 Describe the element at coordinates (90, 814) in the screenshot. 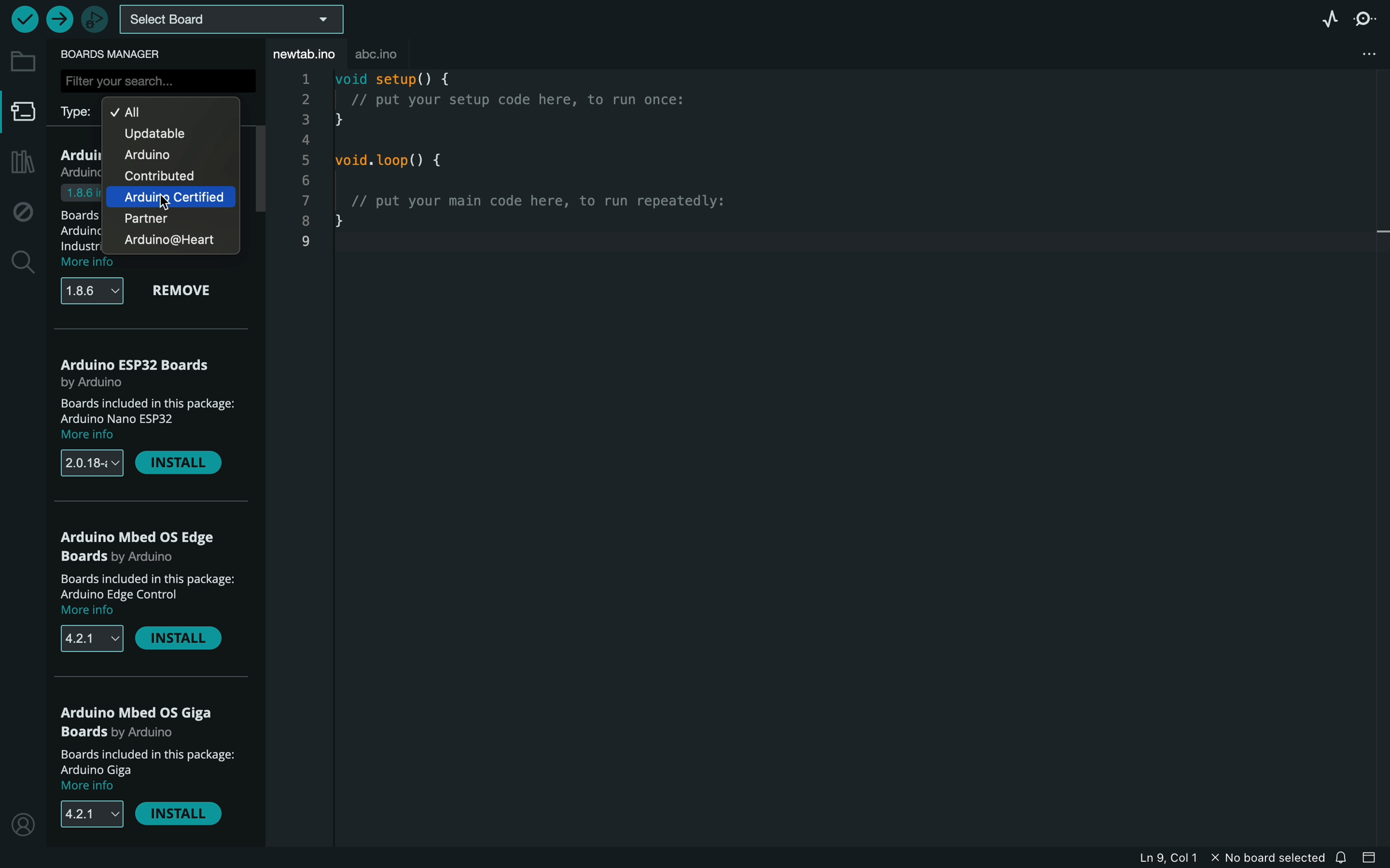

I see `versions` at that location.